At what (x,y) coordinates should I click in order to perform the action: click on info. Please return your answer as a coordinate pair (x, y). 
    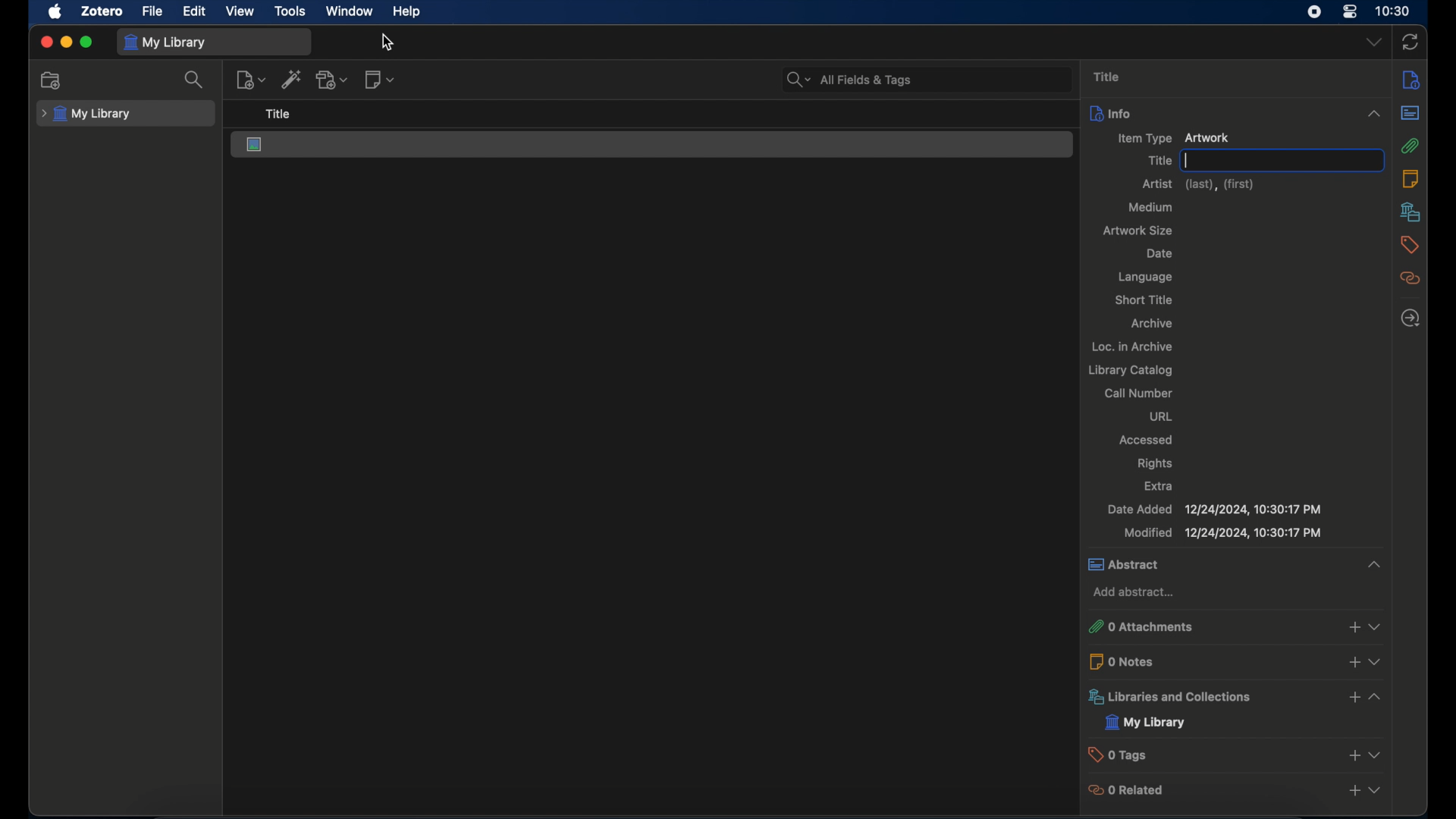
    Looking at the image, I should click on (1237, 113).